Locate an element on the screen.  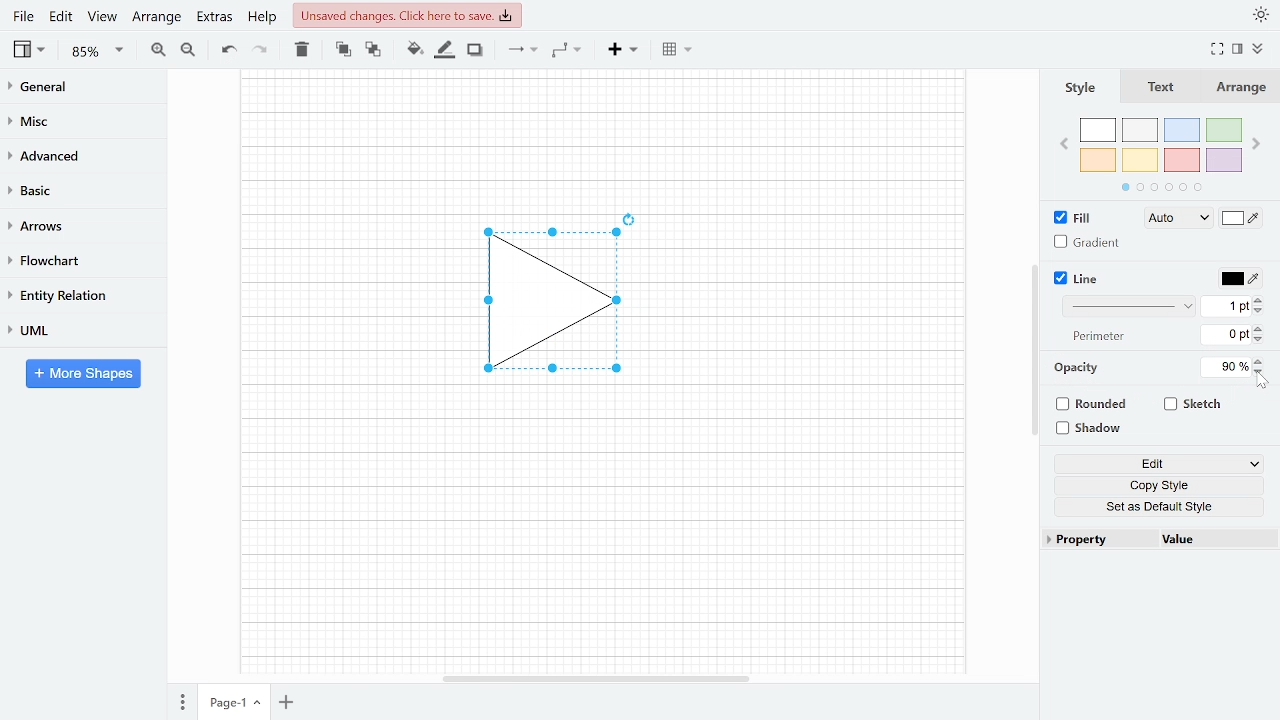
Delete is located at coordinates (300, 49).